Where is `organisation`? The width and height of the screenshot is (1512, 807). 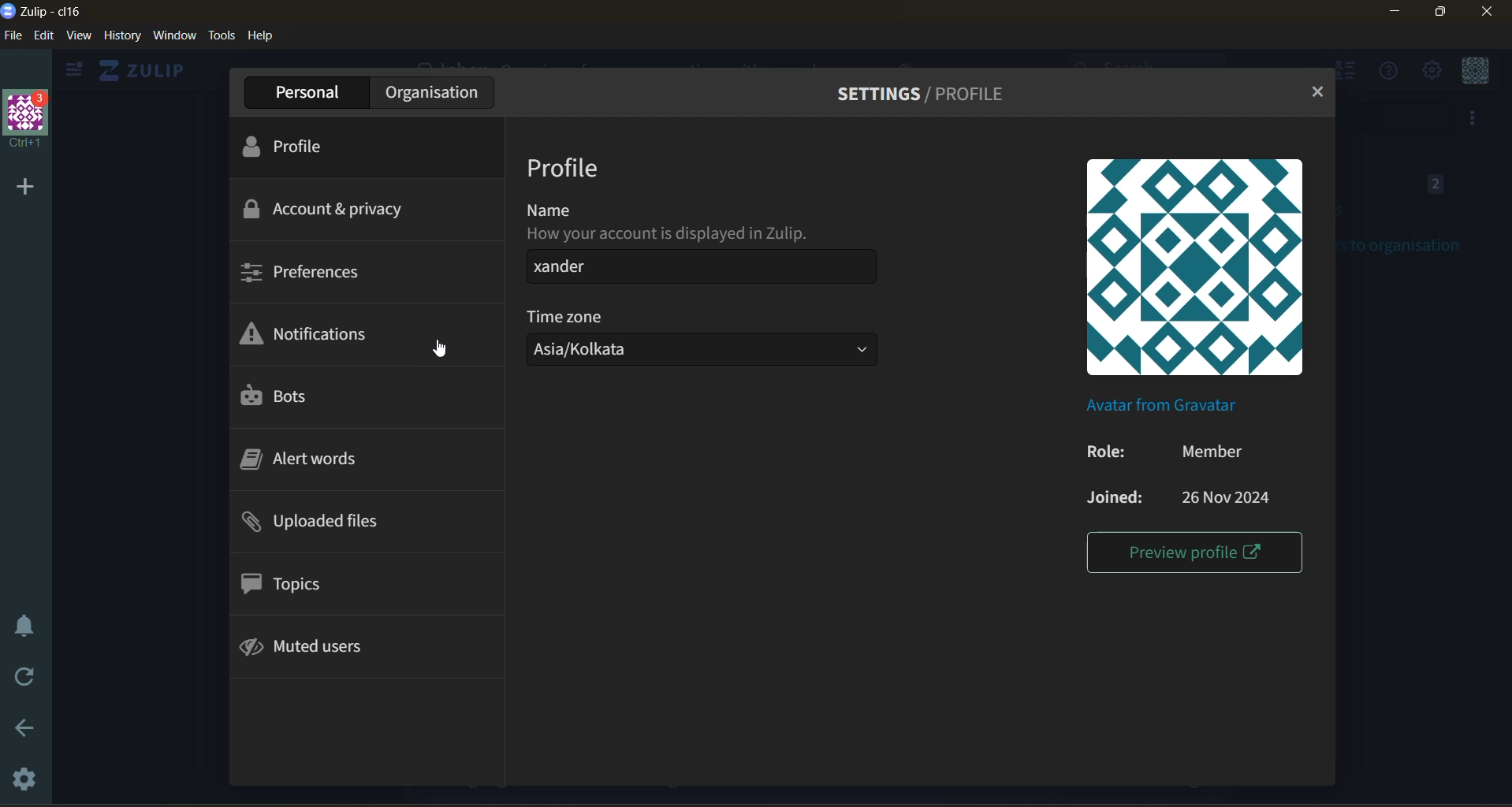 organisation is located at coordinates (432, 92).